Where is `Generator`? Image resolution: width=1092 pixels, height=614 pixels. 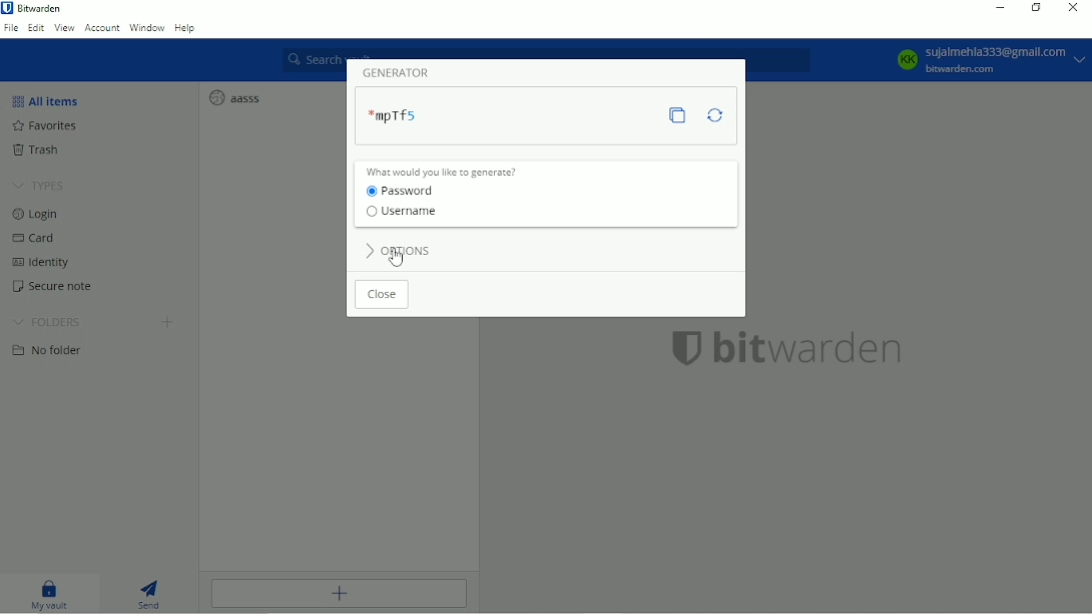 Generator is located at coordinates (398, 72).